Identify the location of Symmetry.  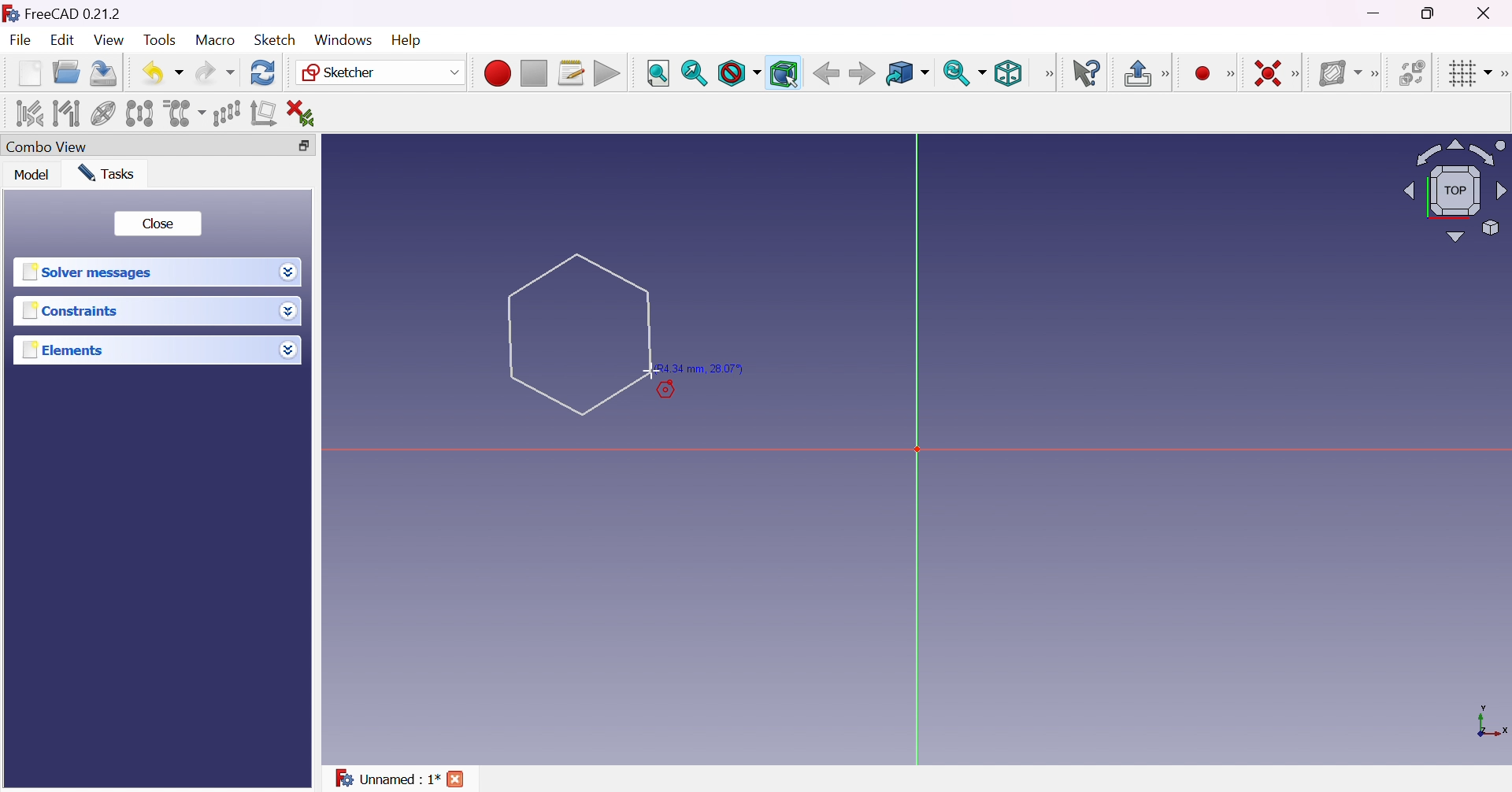
(140, 113).